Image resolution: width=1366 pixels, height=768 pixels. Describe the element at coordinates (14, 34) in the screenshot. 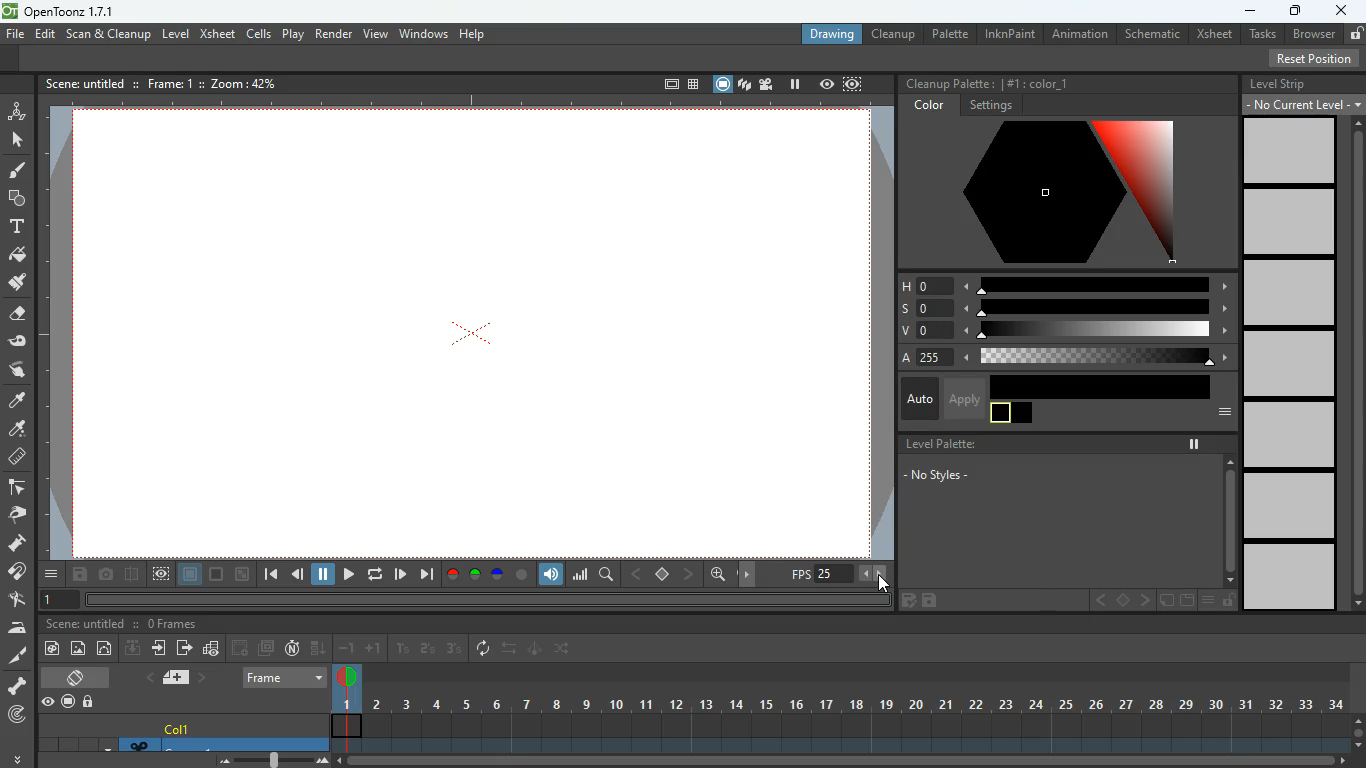

I see `file` at that location.